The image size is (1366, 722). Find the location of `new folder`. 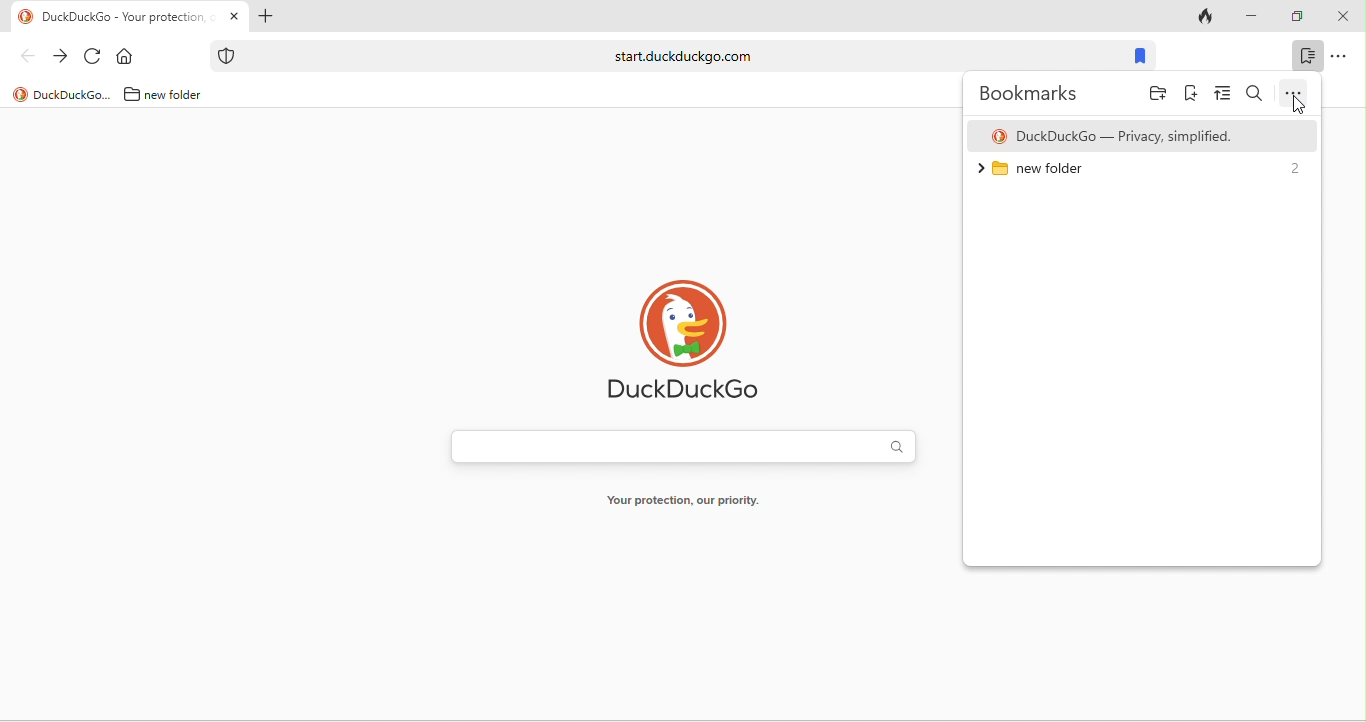

new folder is located at coordinates (181, 94).